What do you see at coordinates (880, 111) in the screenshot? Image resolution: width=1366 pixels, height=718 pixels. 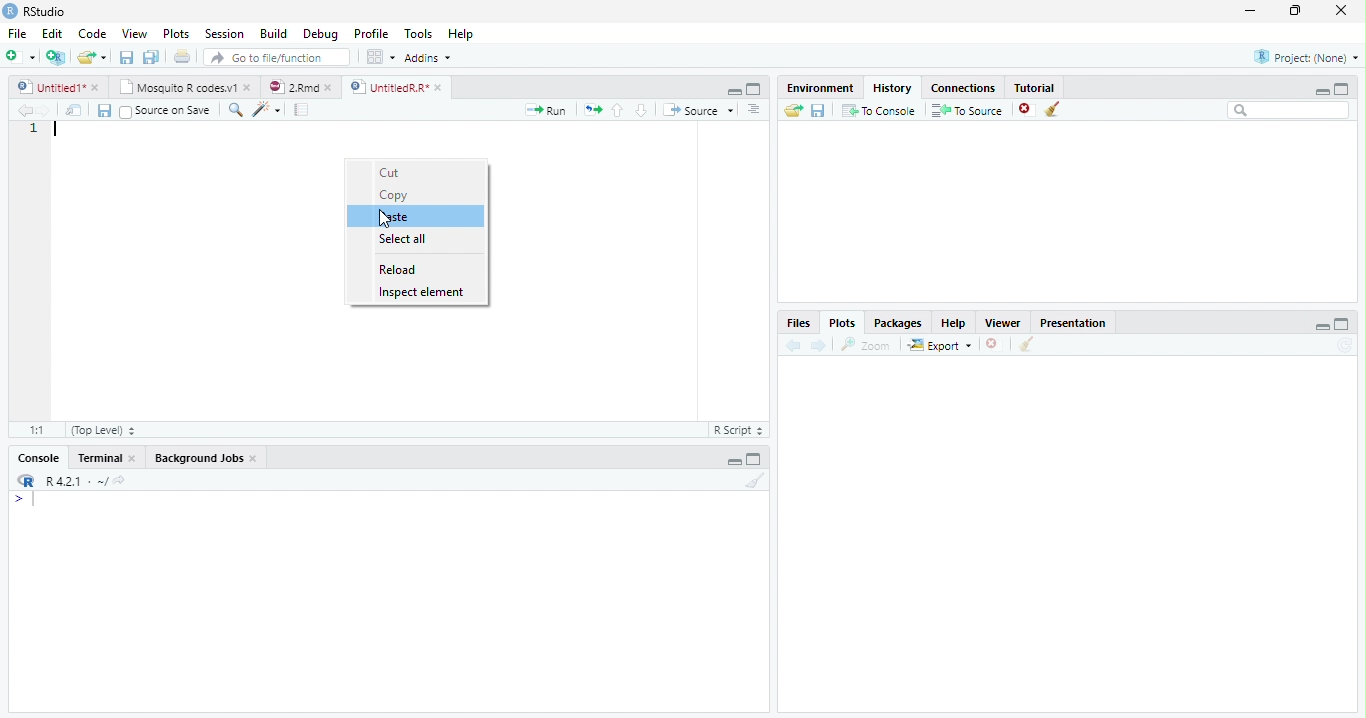 I see `To Console` at bounding box center [880, 111].